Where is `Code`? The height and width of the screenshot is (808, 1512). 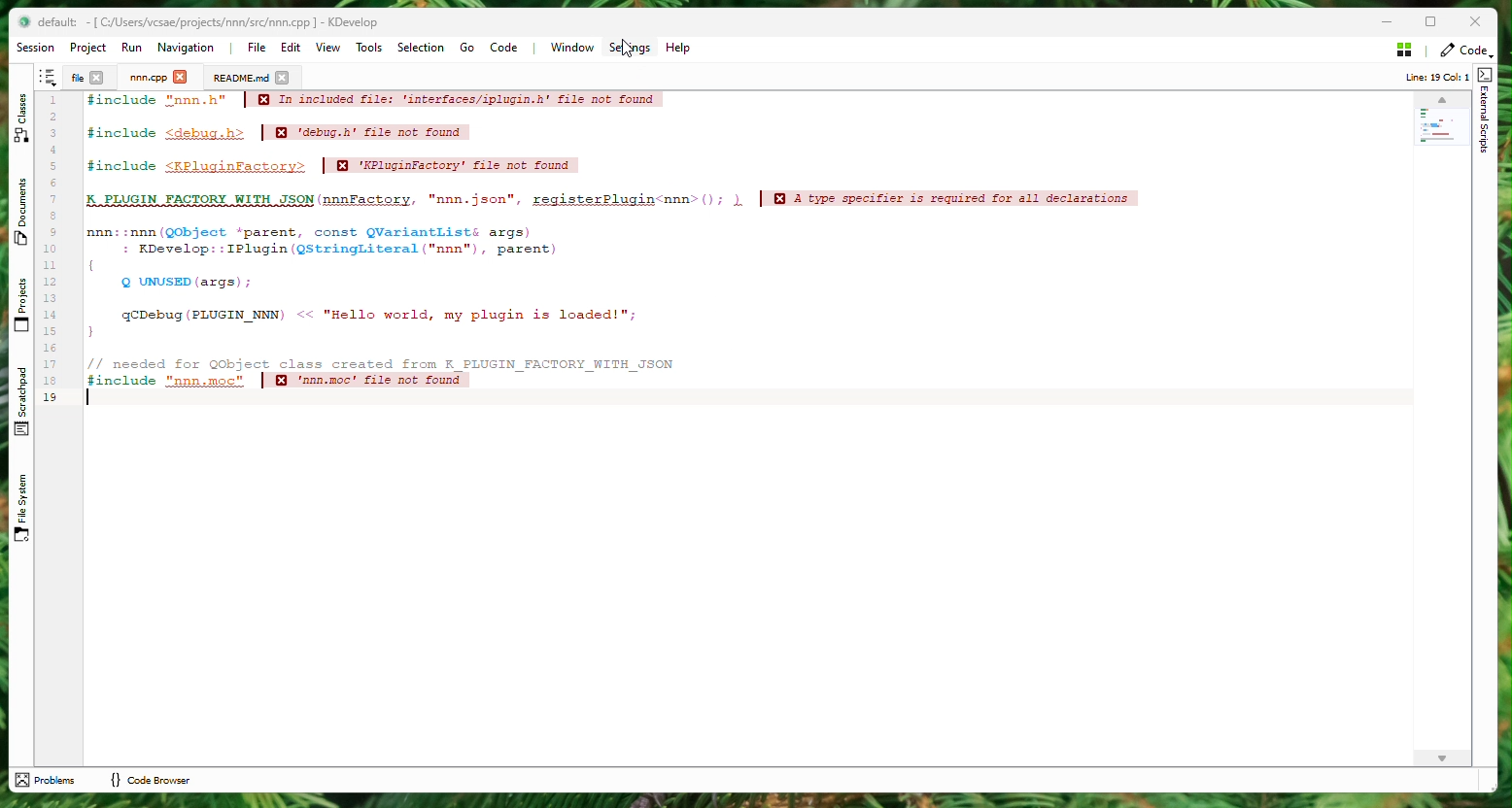 Code is located at coordinates (511, 50).